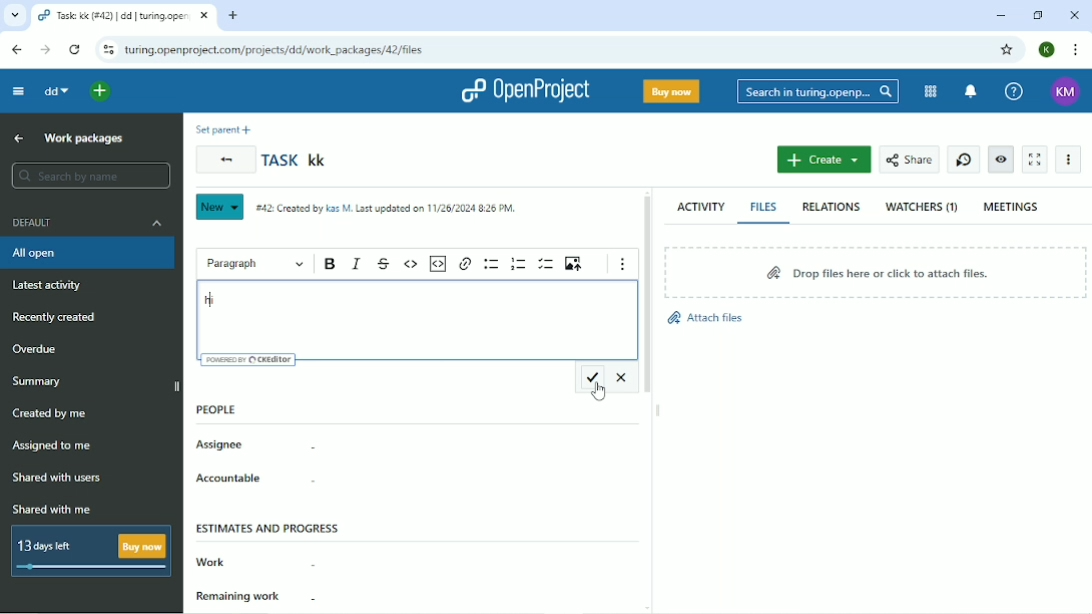 The width and height of the screenshot is (1092, 614). I want to click on K, so click(1046, 49).